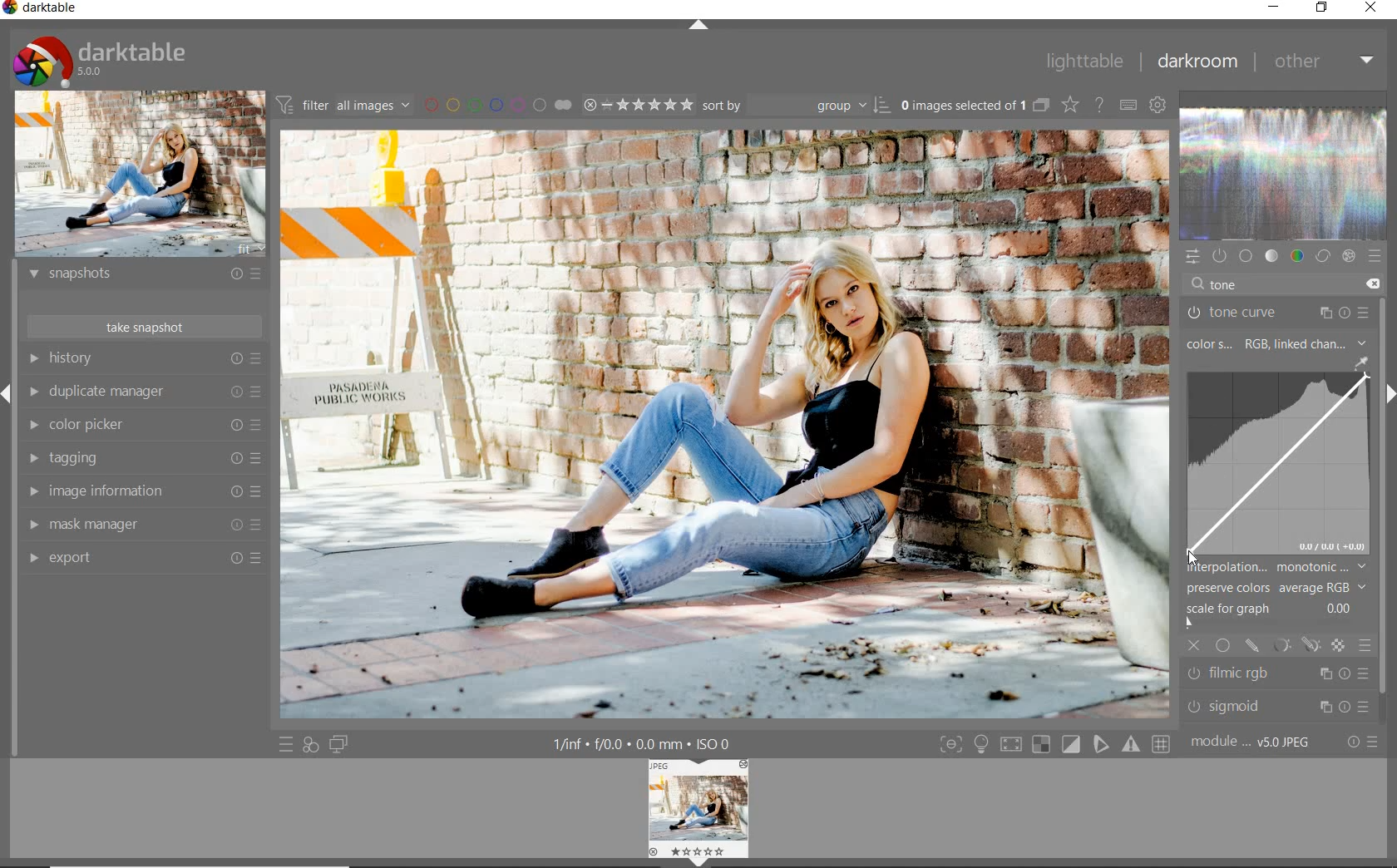 The width and height of the screenshot is (1397, 868). I want to click on tone, so click(1272, 257).